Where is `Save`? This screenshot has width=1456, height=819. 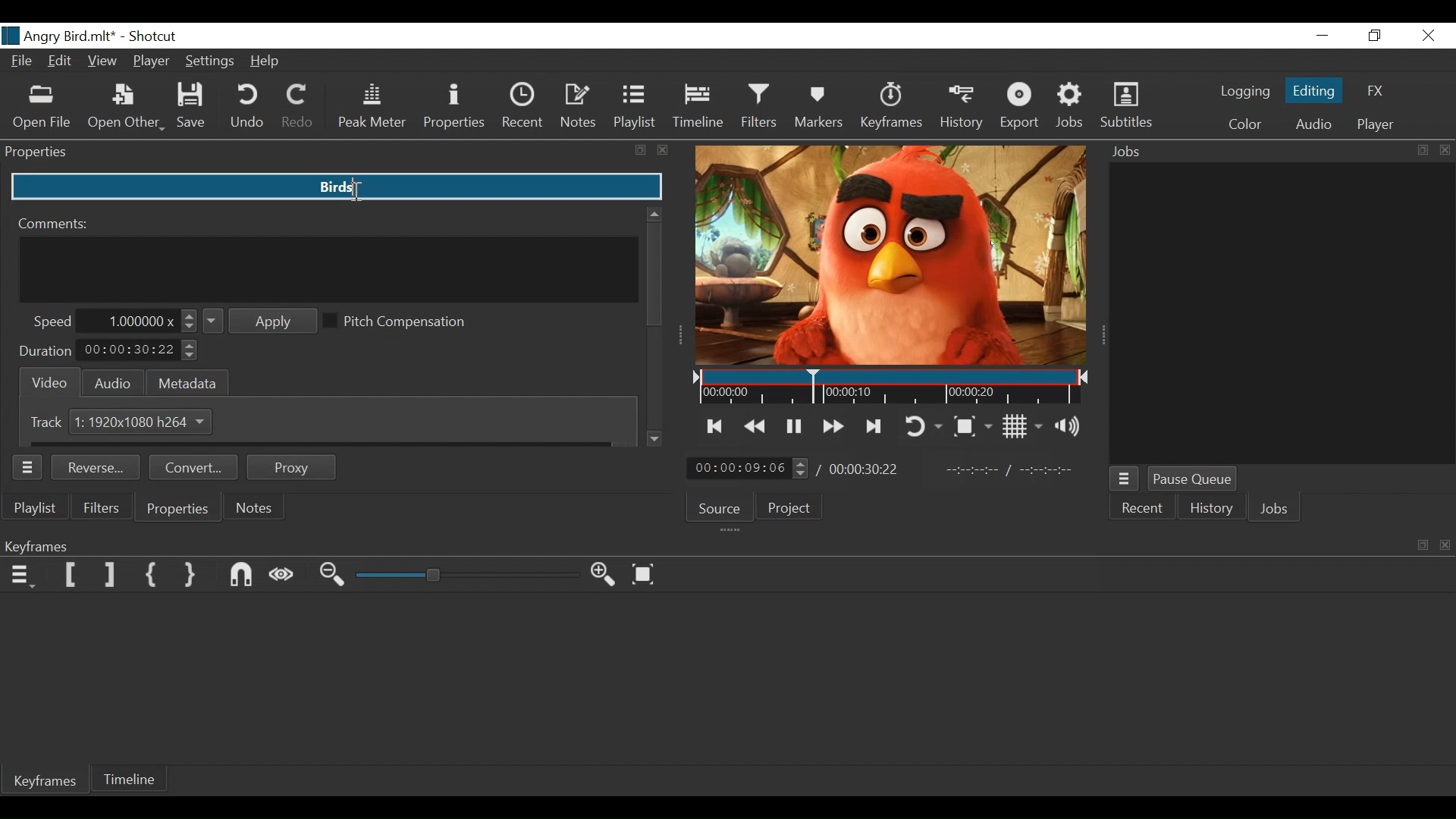 Save is located at coordinates (193, 108).